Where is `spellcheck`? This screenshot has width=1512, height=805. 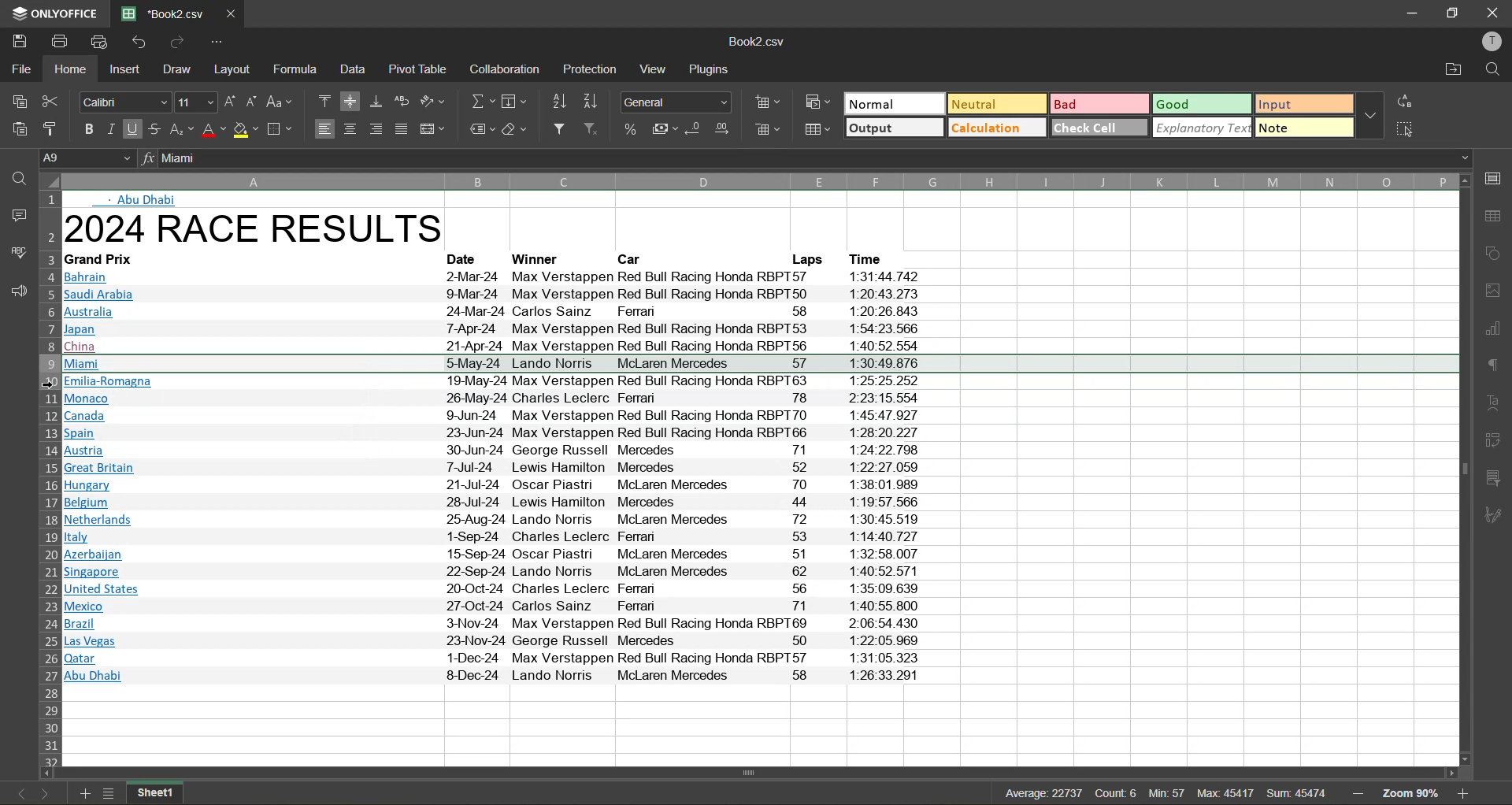
spellcheck is located at coordinates (15, 254).